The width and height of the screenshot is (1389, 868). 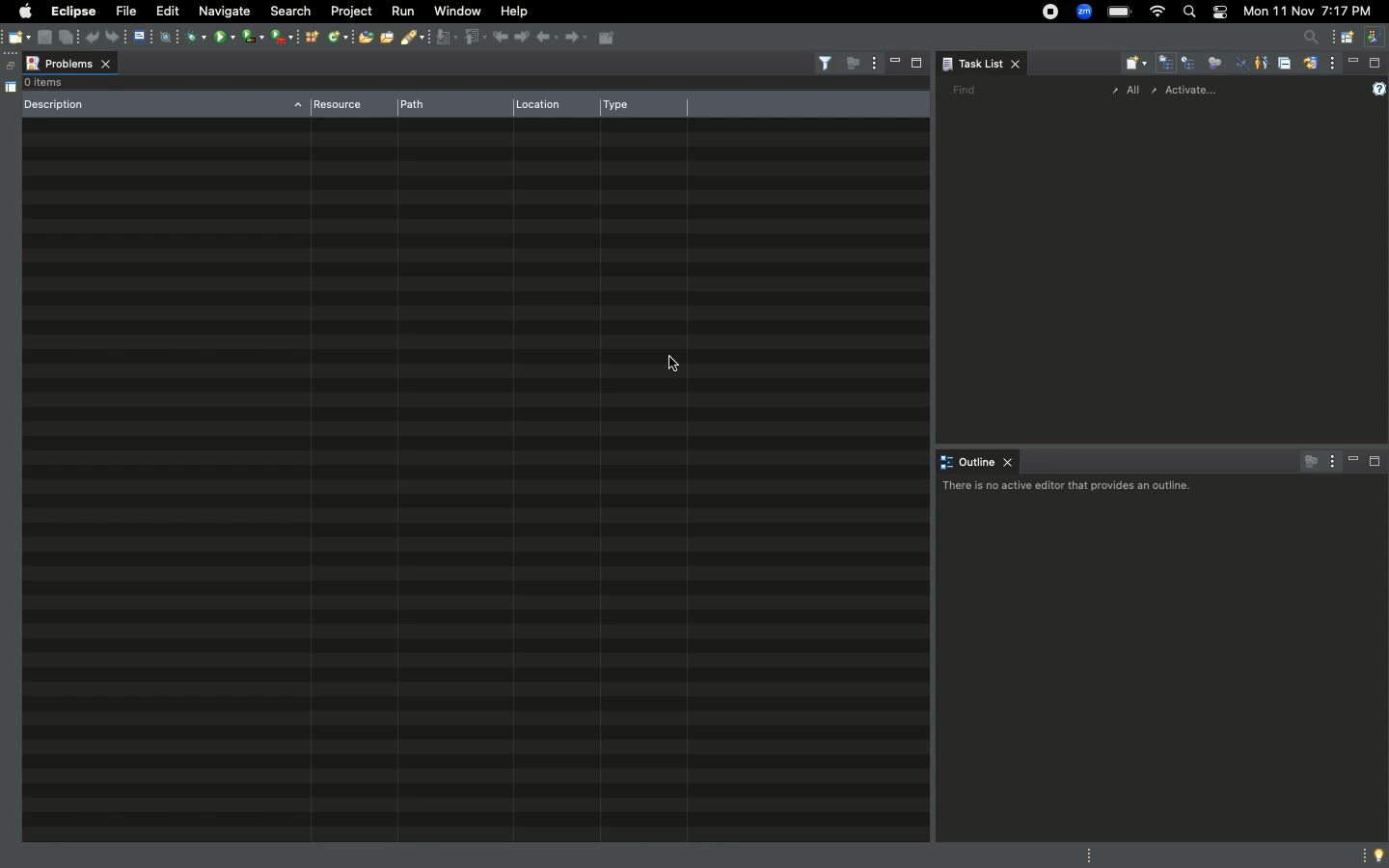 What do you see at coordinates (1333, 66) in the screenshot?
I see `View menu` at bounding box center [1333, 66].